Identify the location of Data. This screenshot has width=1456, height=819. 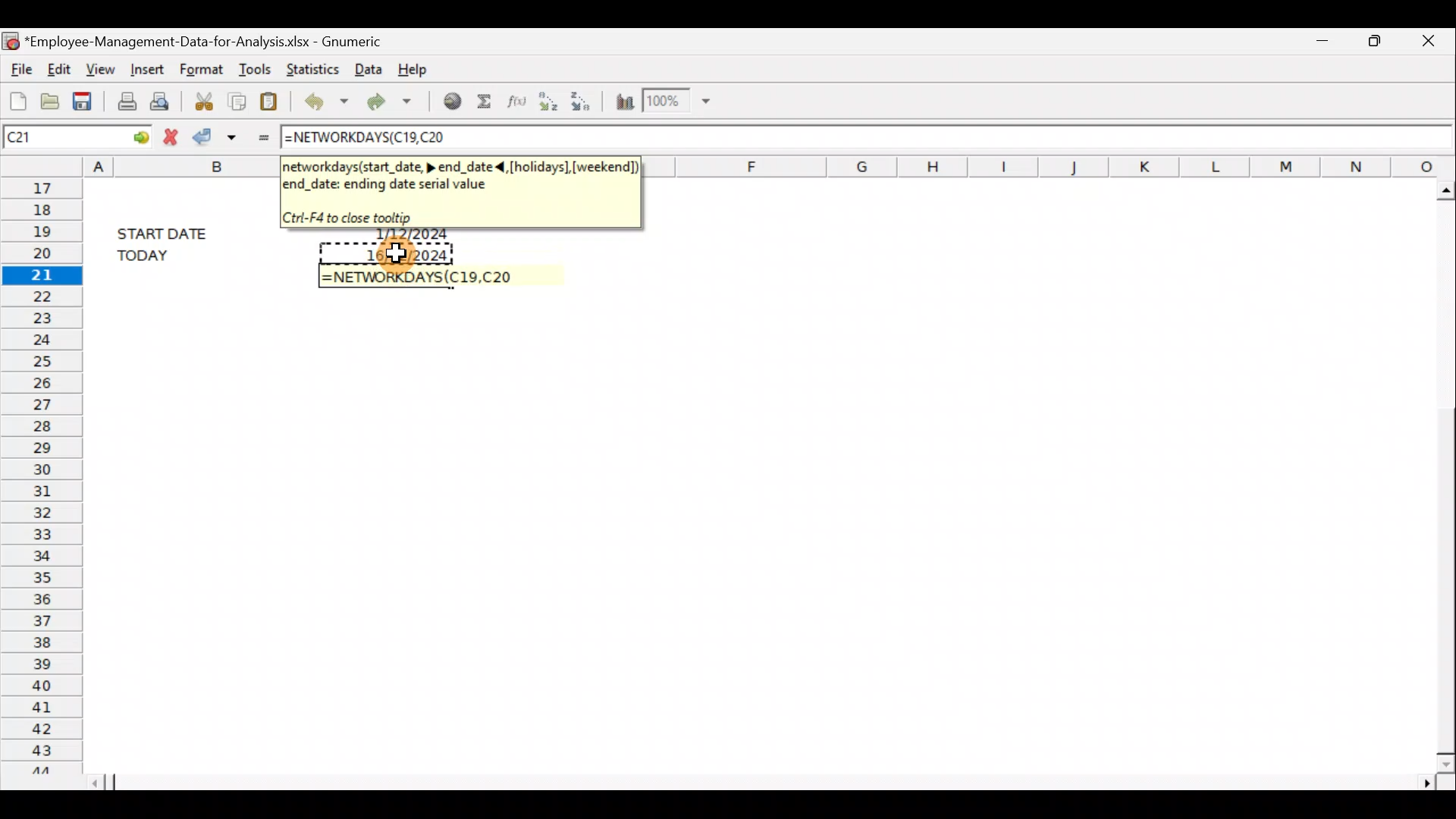
(367, 70).